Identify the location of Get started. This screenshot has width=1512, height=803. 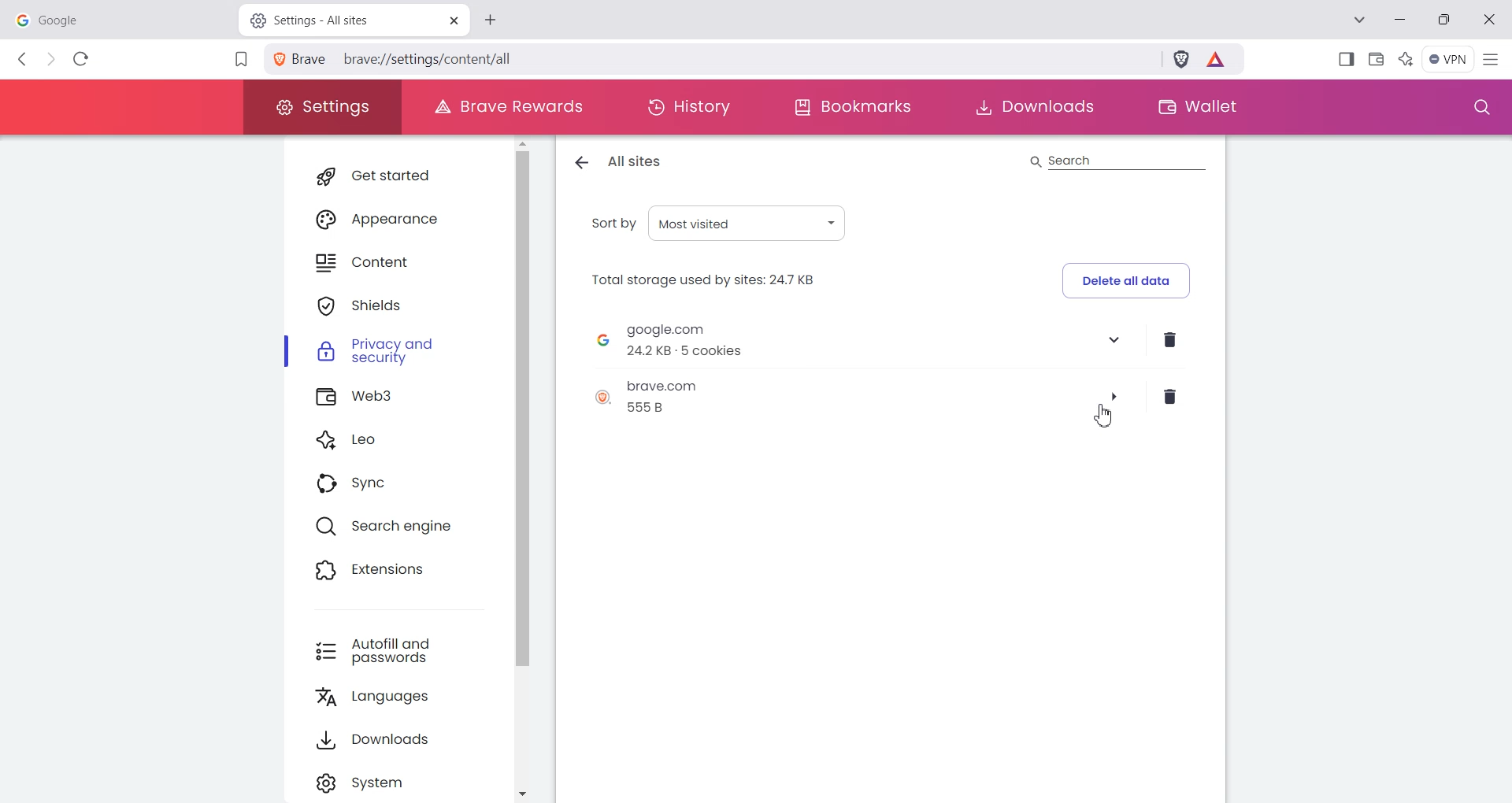
(387, 176).